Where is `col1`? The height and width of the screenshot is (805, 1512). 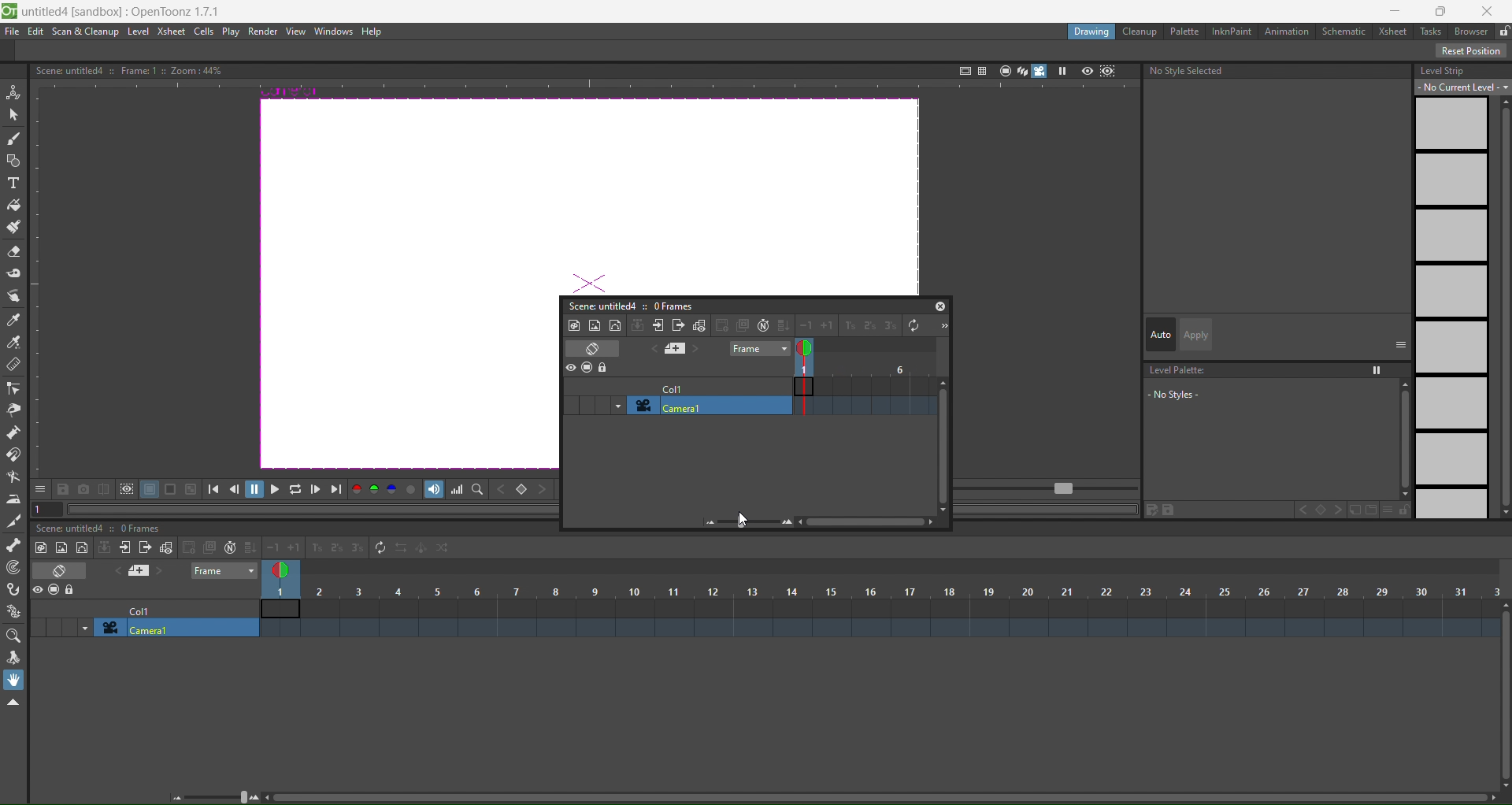 col1 is located at coordinates (147, 610).